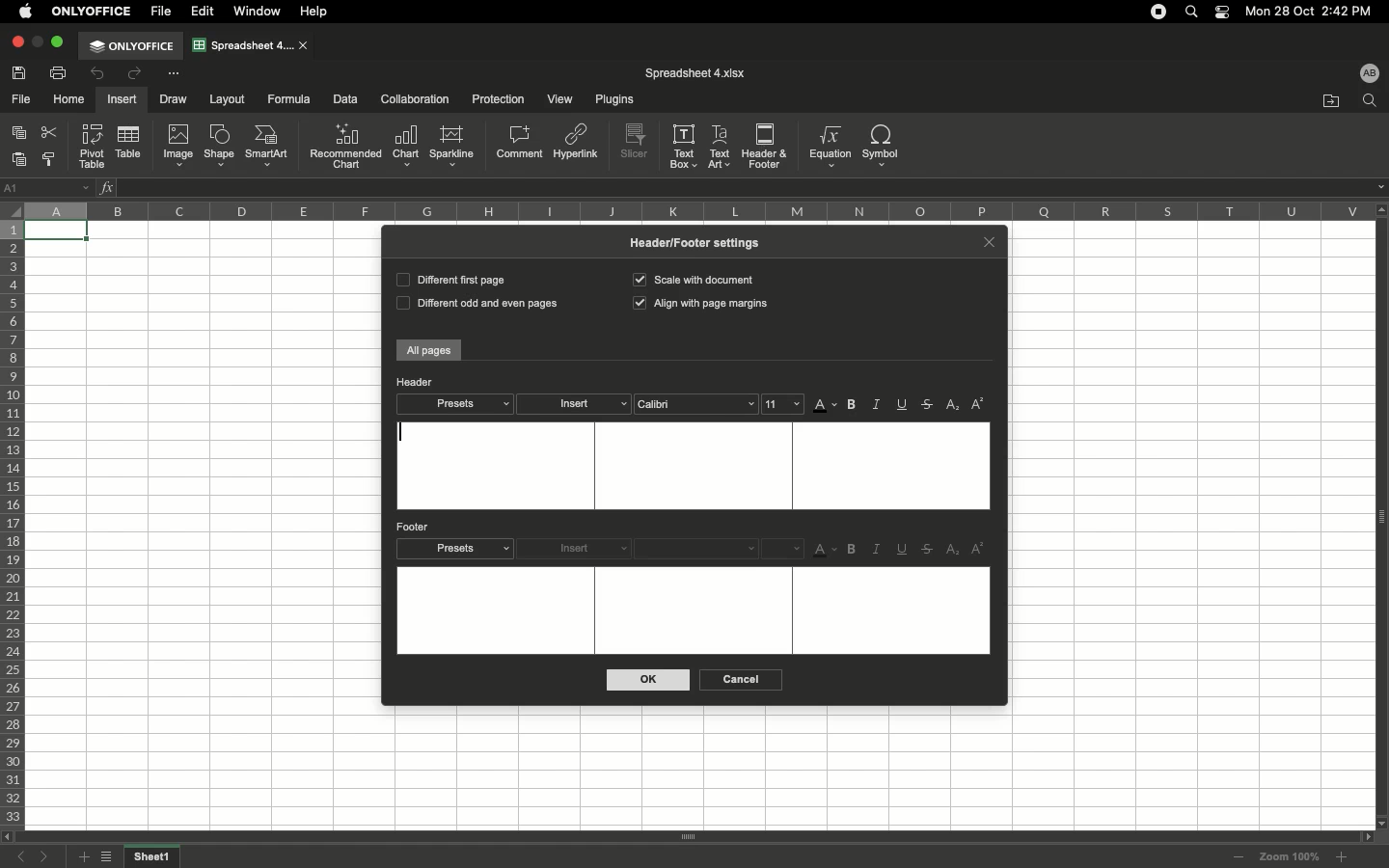 This screenshot has height=868, width=1389. I want to click on Equation, so click(828, 146).